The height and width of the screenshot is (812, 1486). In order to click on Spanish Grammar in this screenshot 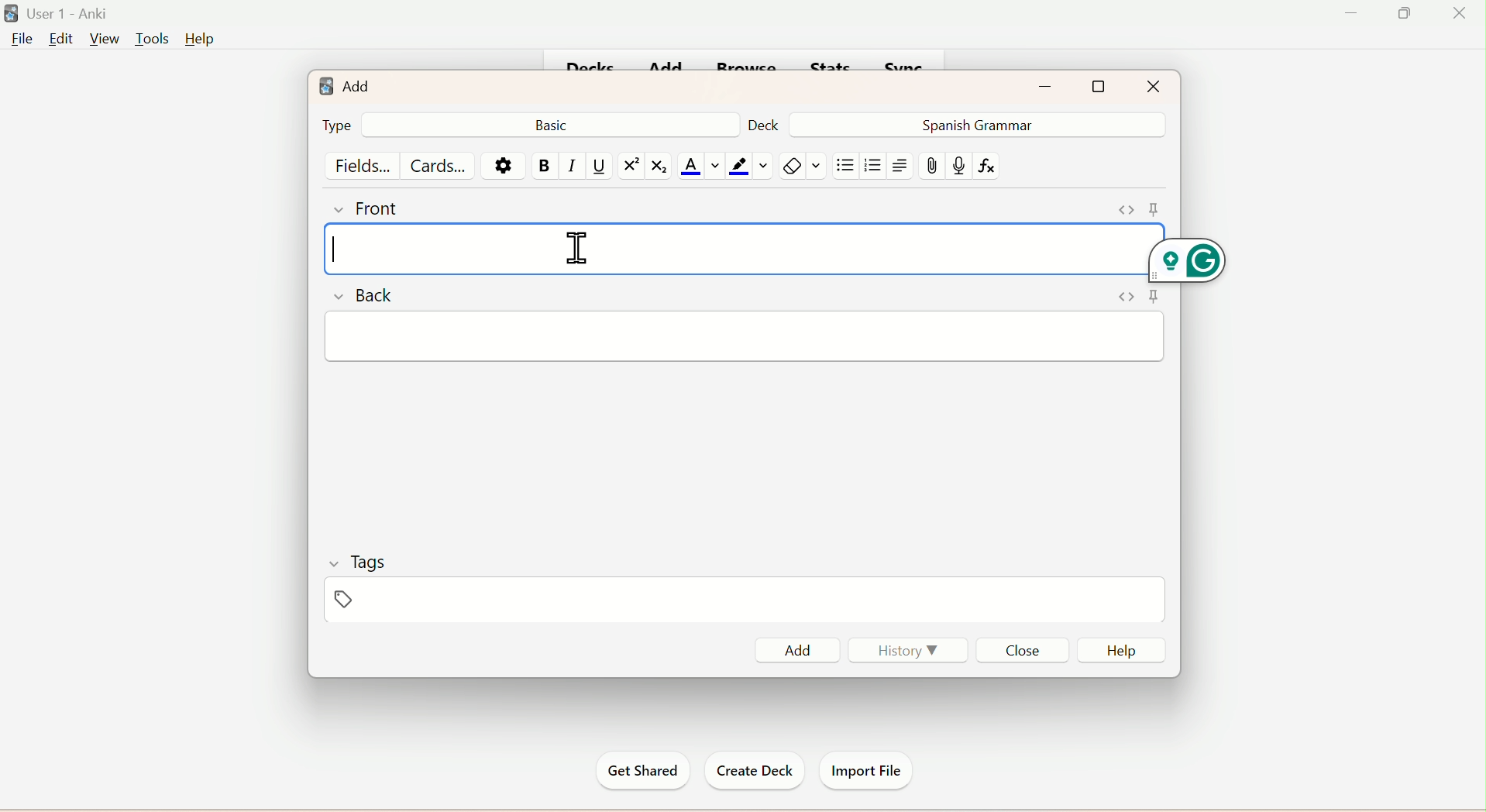, I will do `click(973, 124)`.